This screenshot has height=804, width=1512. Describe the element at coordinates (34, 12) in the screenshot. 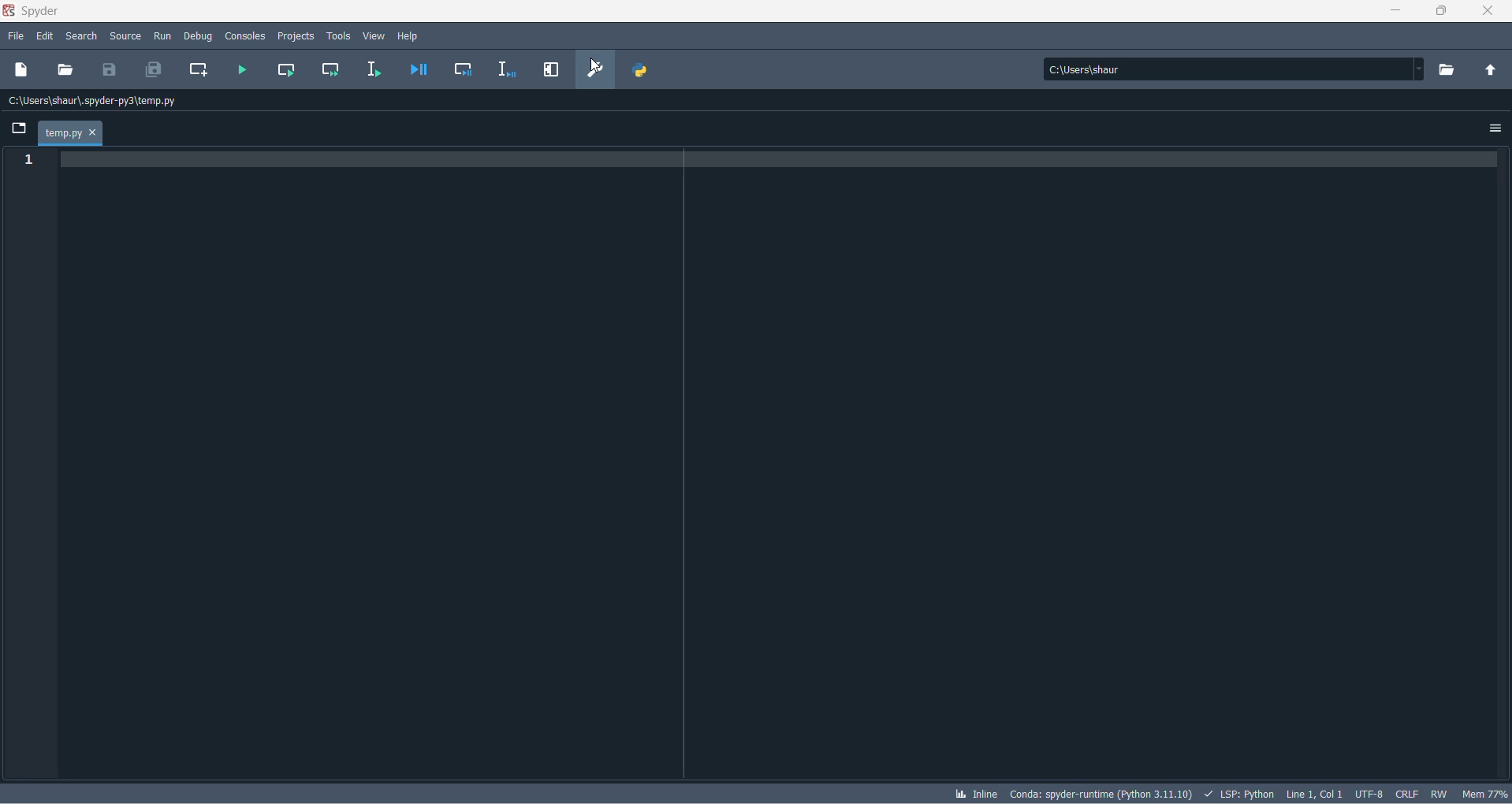

I see `spyder application name` at that location.